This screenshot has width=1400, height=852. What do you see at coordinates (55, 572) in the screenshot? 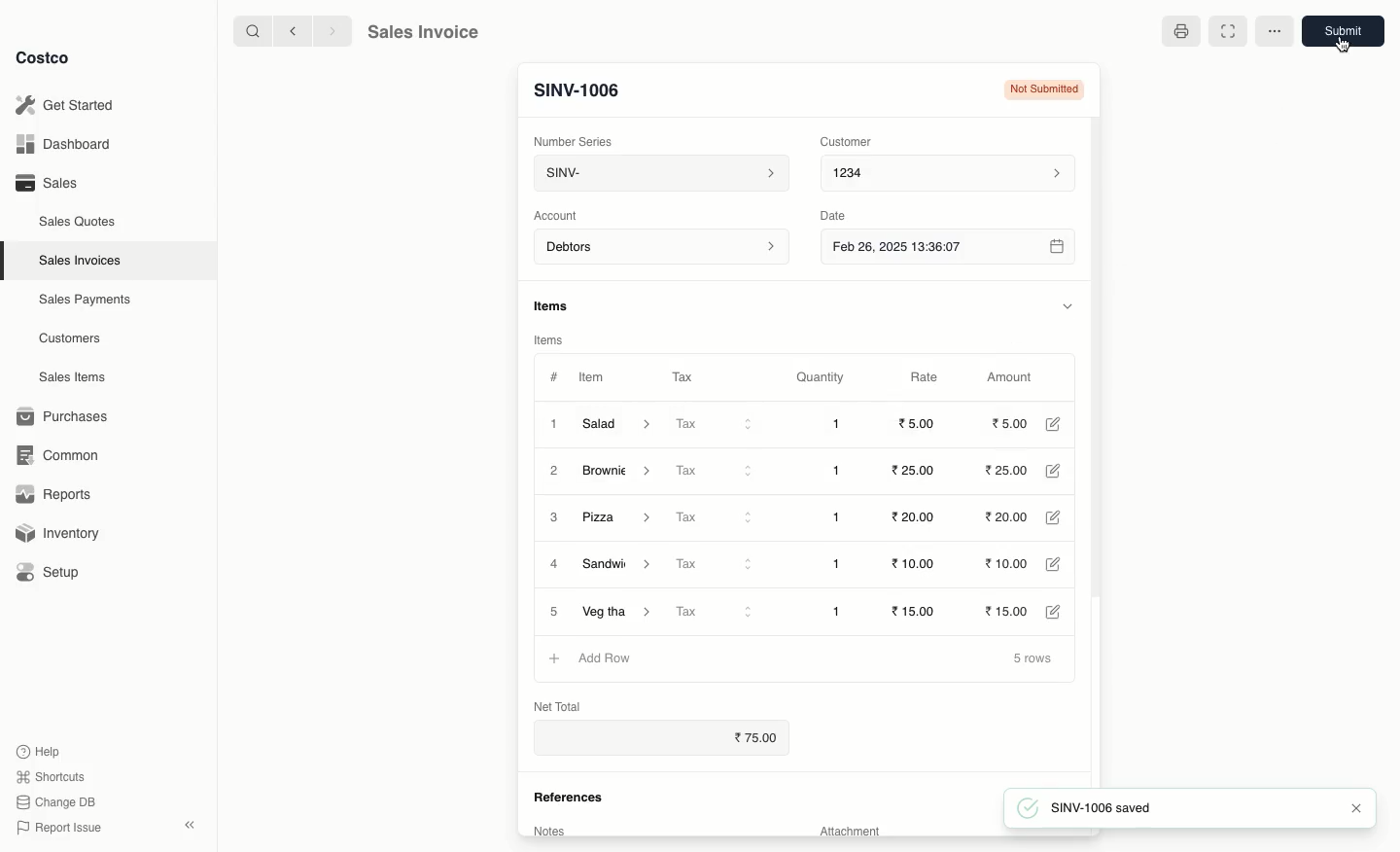
I see `Setup` at bounding box center [55, 572].